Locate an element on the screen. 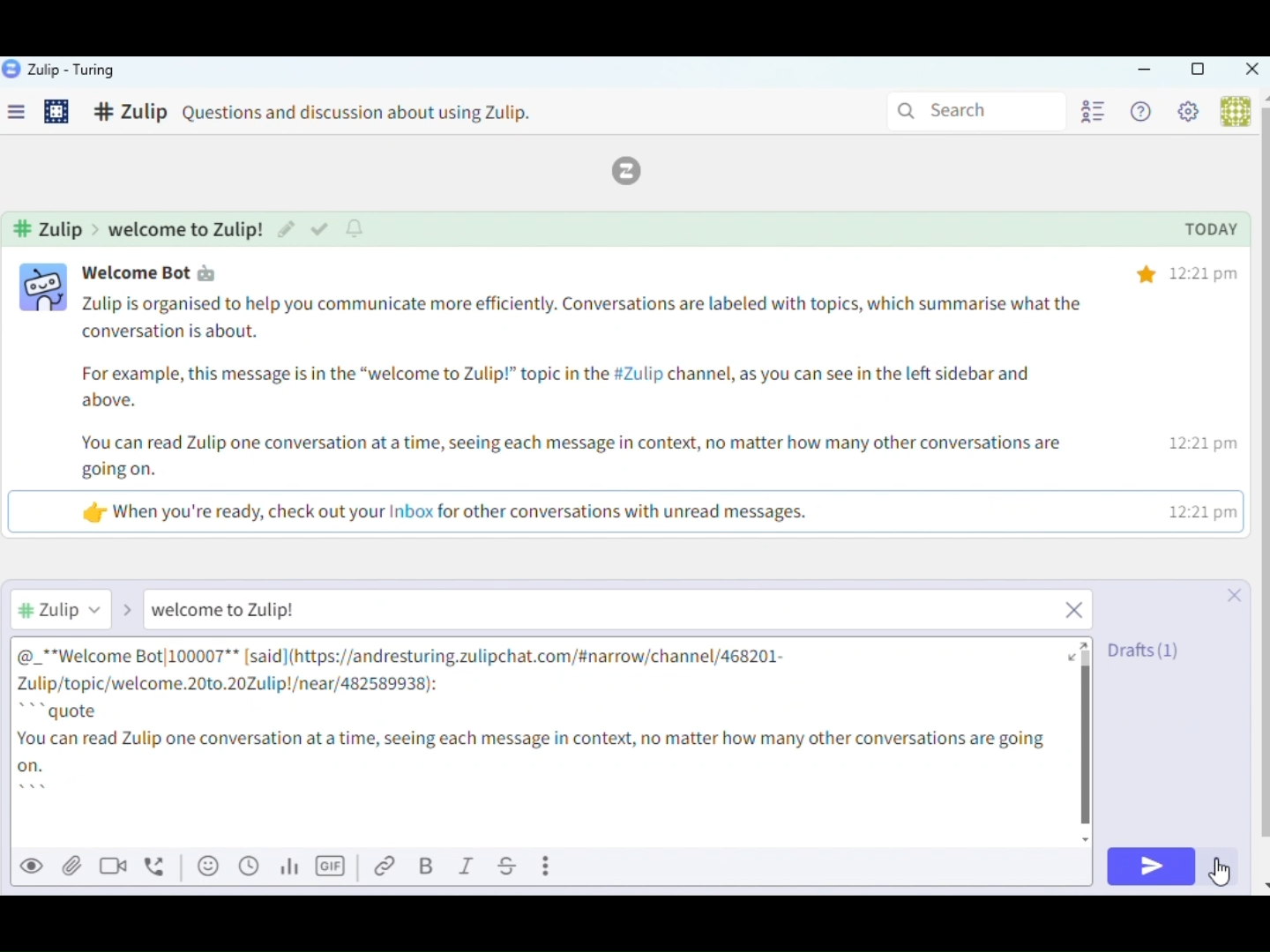 Image resolution: width=1270 pixels, height=952 pixels. Message is located at coordinates (543, 740).